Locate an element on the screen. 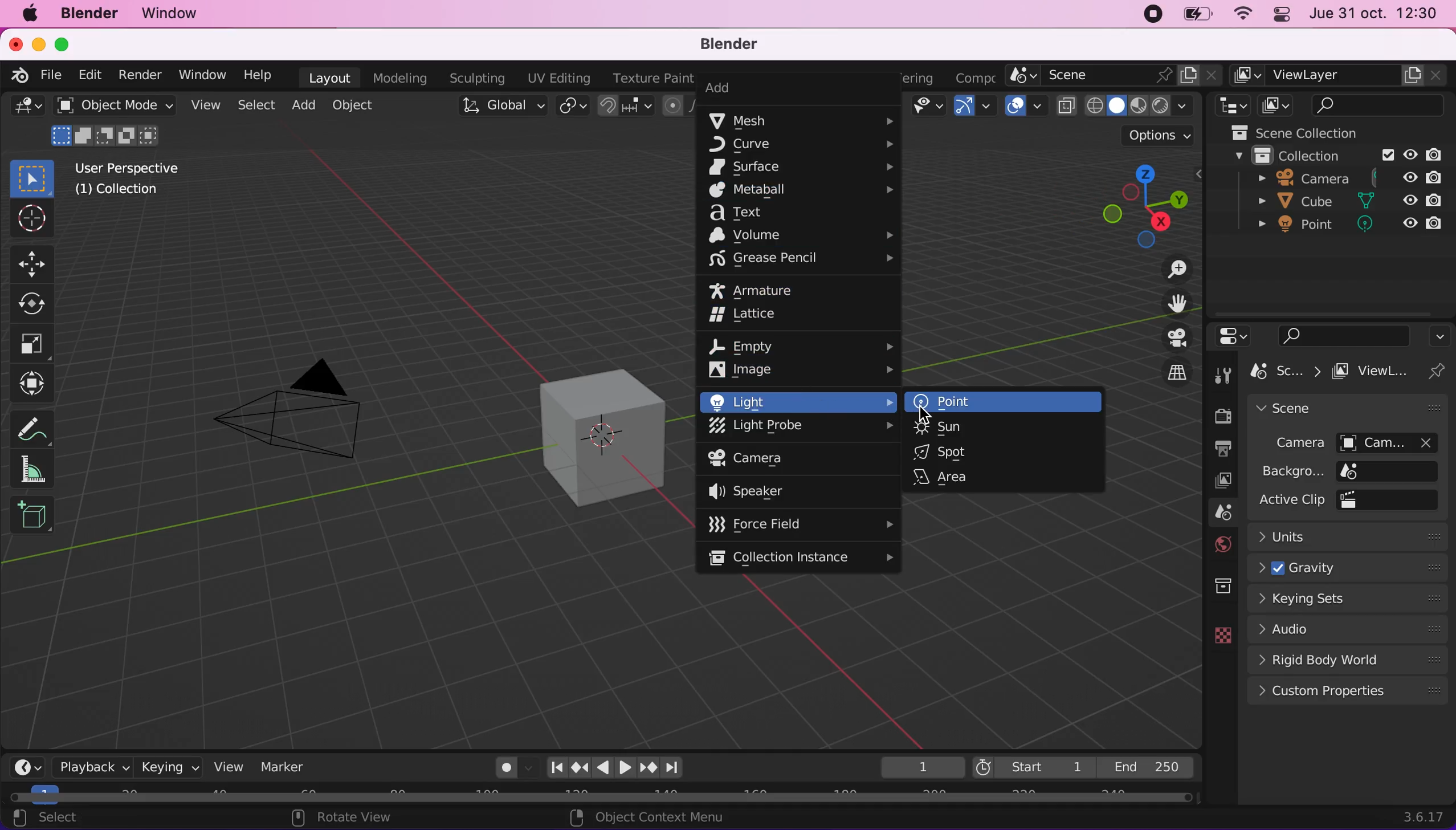 The width and height of the screenshot is (1456, 830). select (toggle) is located at coordinates (105, 817).